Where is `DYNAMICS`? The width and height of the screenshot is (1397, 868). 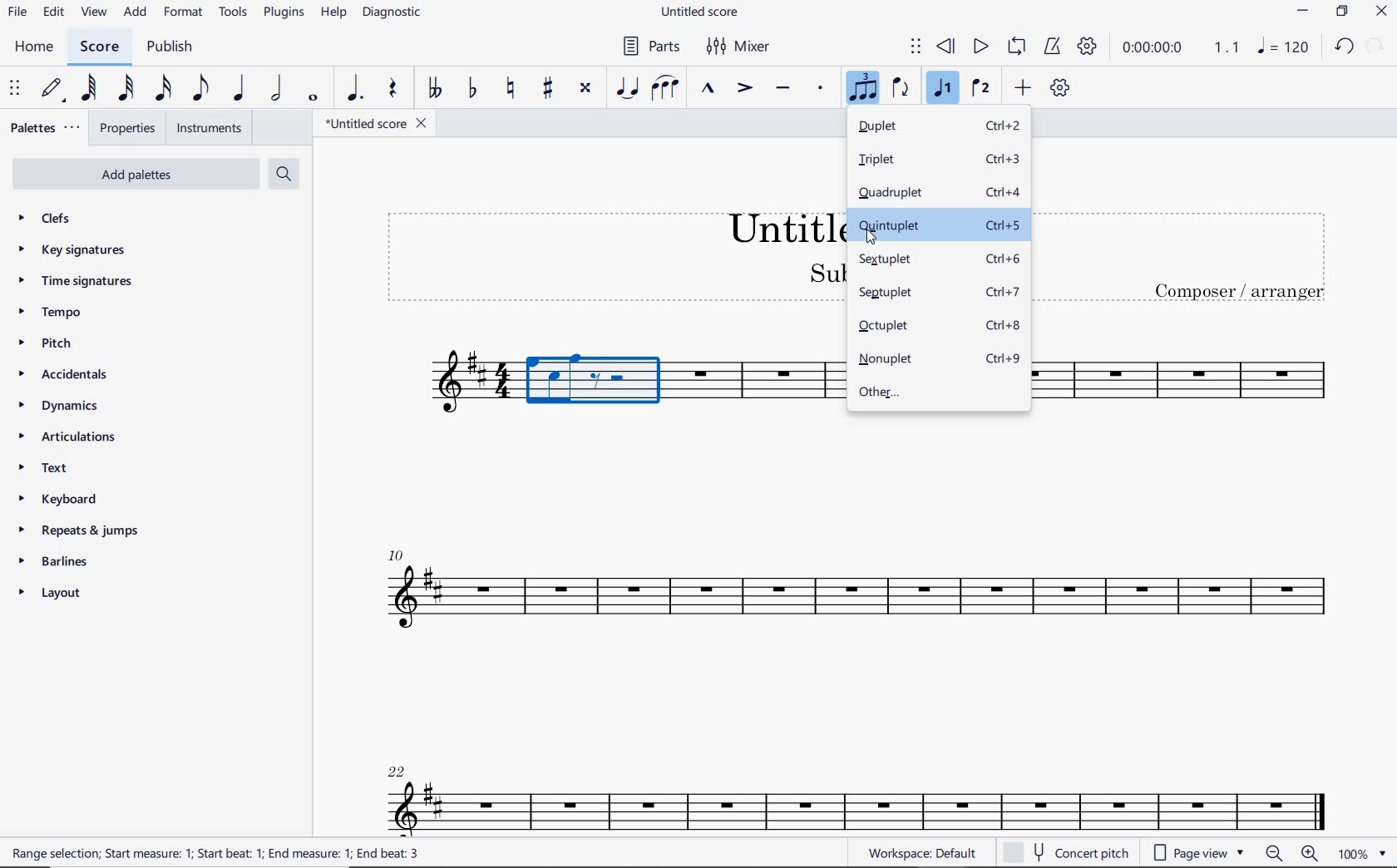
DYNAMICS is located at coordinates (62, 410).